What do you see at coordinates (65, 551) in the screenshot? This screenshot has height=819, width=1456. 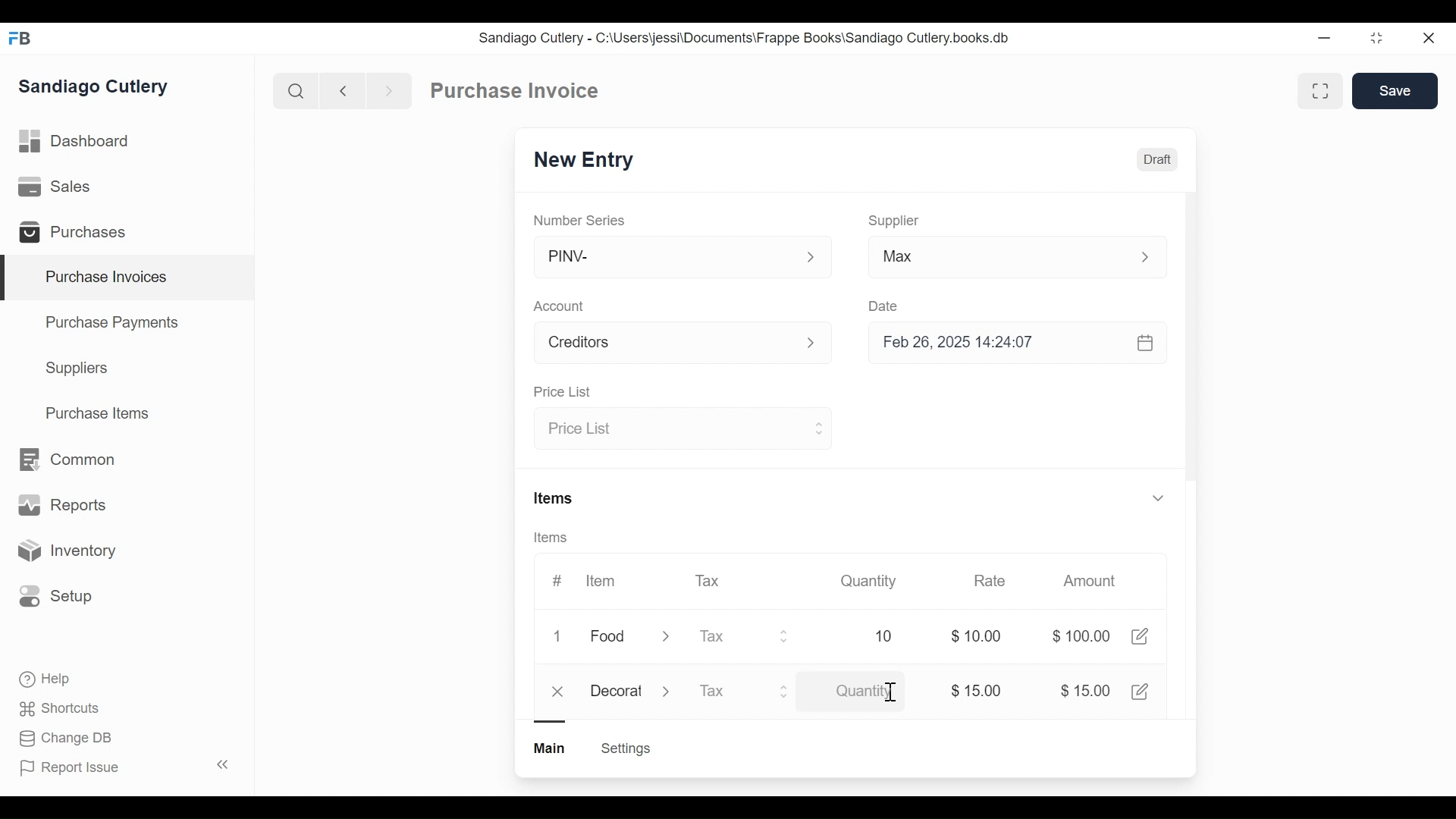 I see `Inventory` at bounding box center [65, 551].